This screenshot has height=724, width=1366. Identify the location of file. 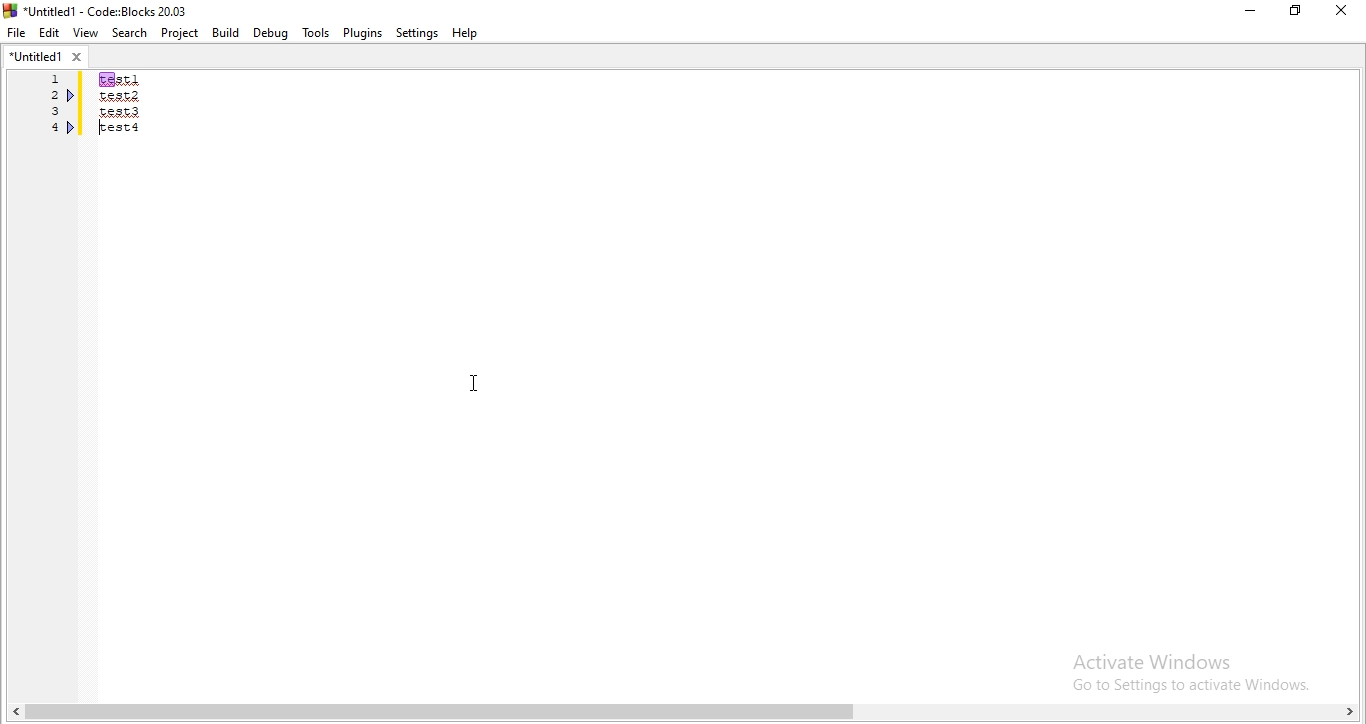
(16, 31).